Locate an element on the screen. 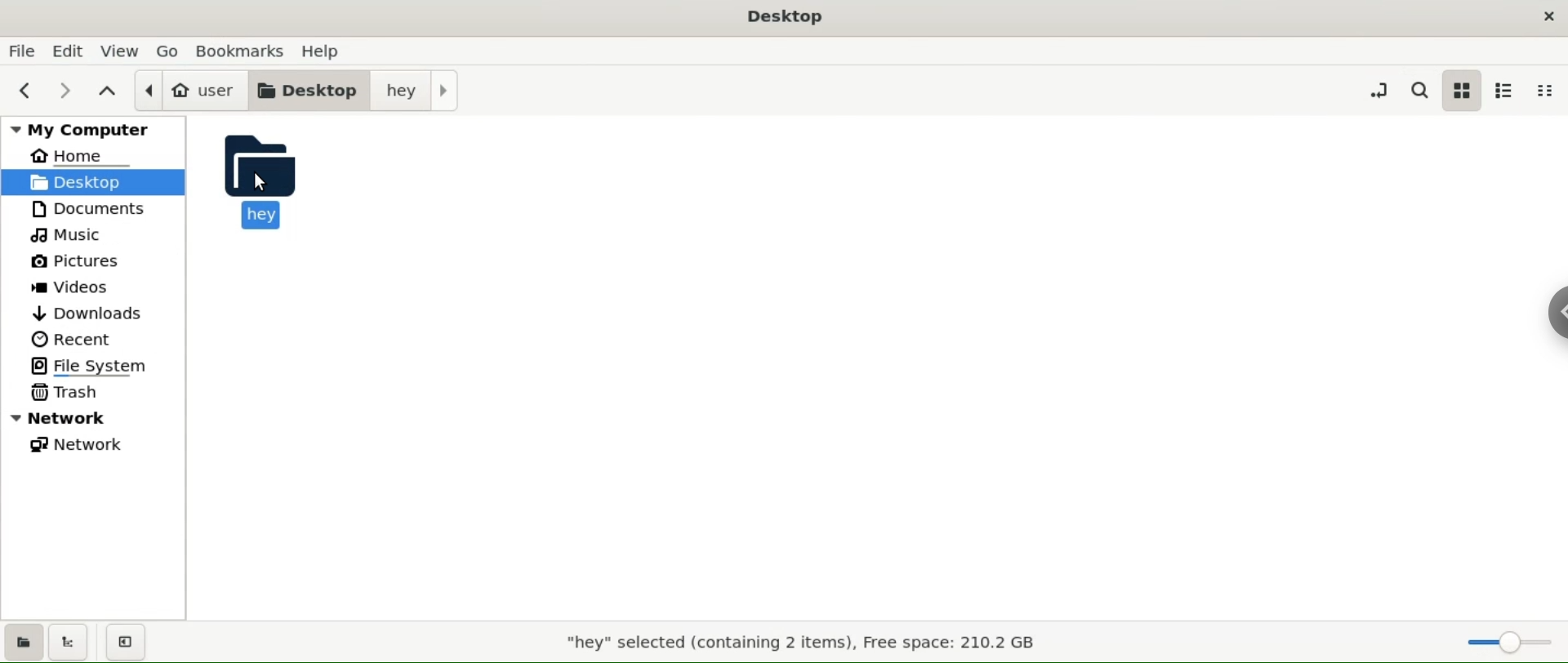 The width and height of the screenshot is (1568, 663). hey is located at coordinates (265, 181).